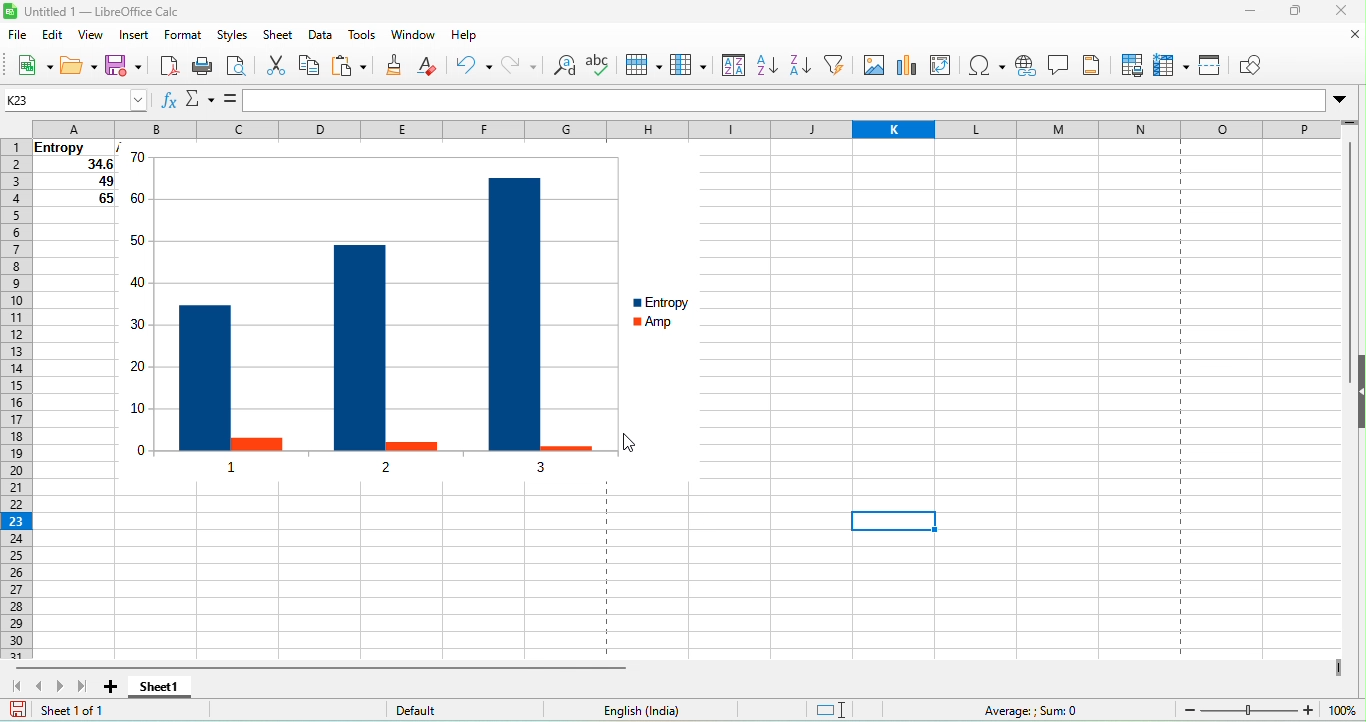  What do you see at coordinates (522, 68) in the screenshot?
I see `redo` at bounding box center [522, 68].